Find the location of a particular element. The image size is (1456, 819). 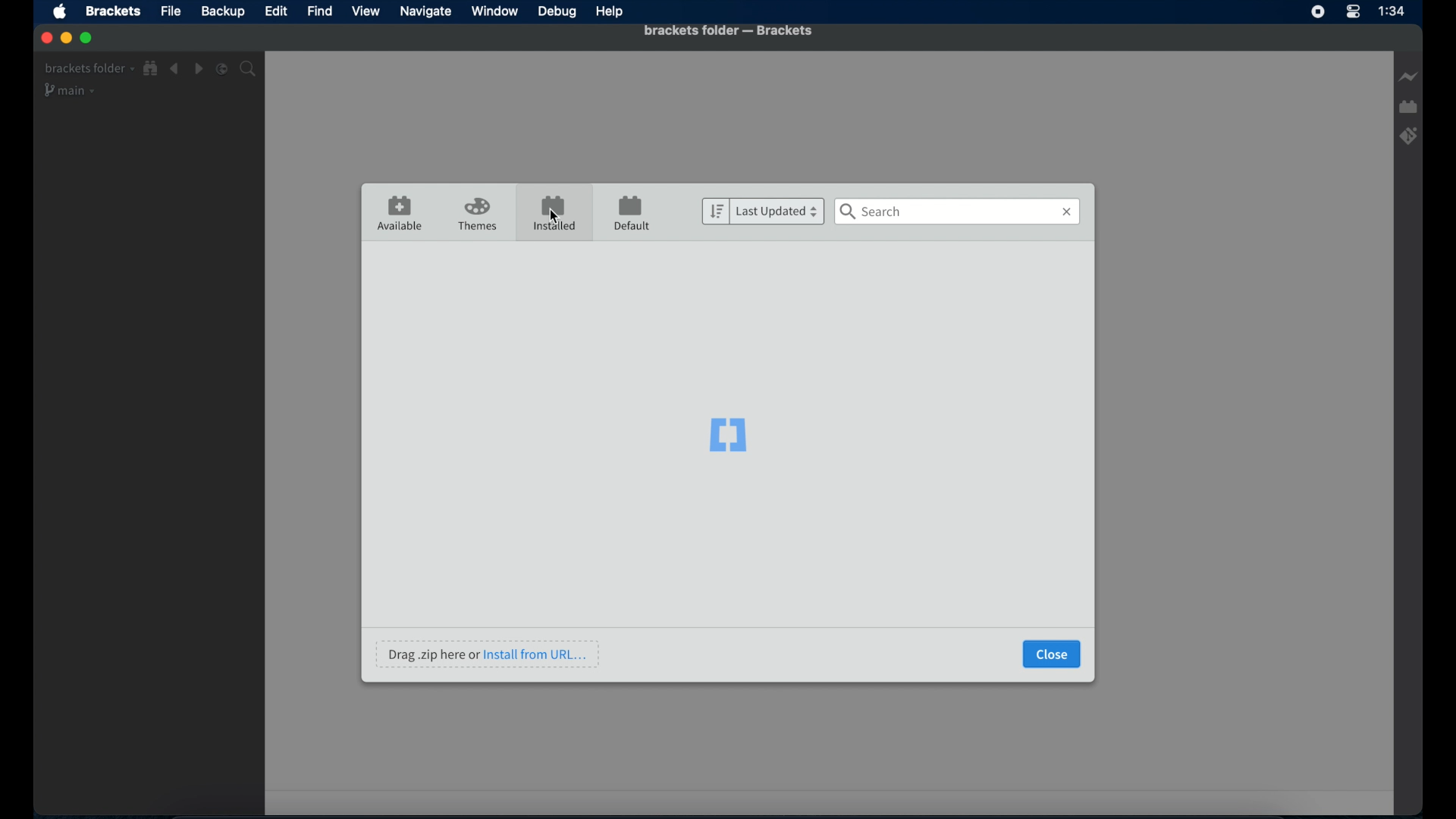

search bar is located at coordinates (958, 212).